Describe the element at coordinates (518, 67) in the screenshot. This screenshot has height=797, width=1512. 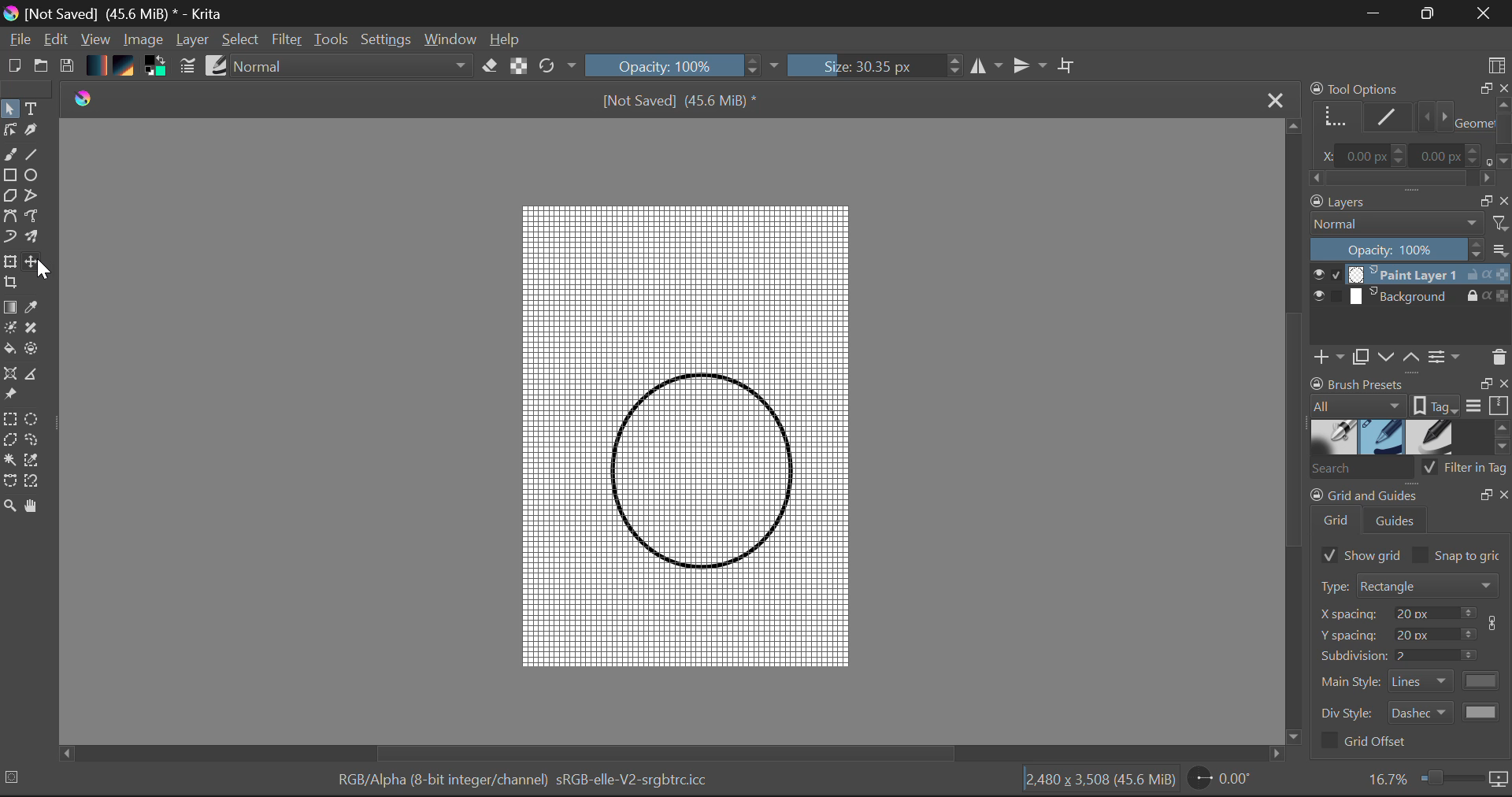
I see `Lock Alpha` at that location.